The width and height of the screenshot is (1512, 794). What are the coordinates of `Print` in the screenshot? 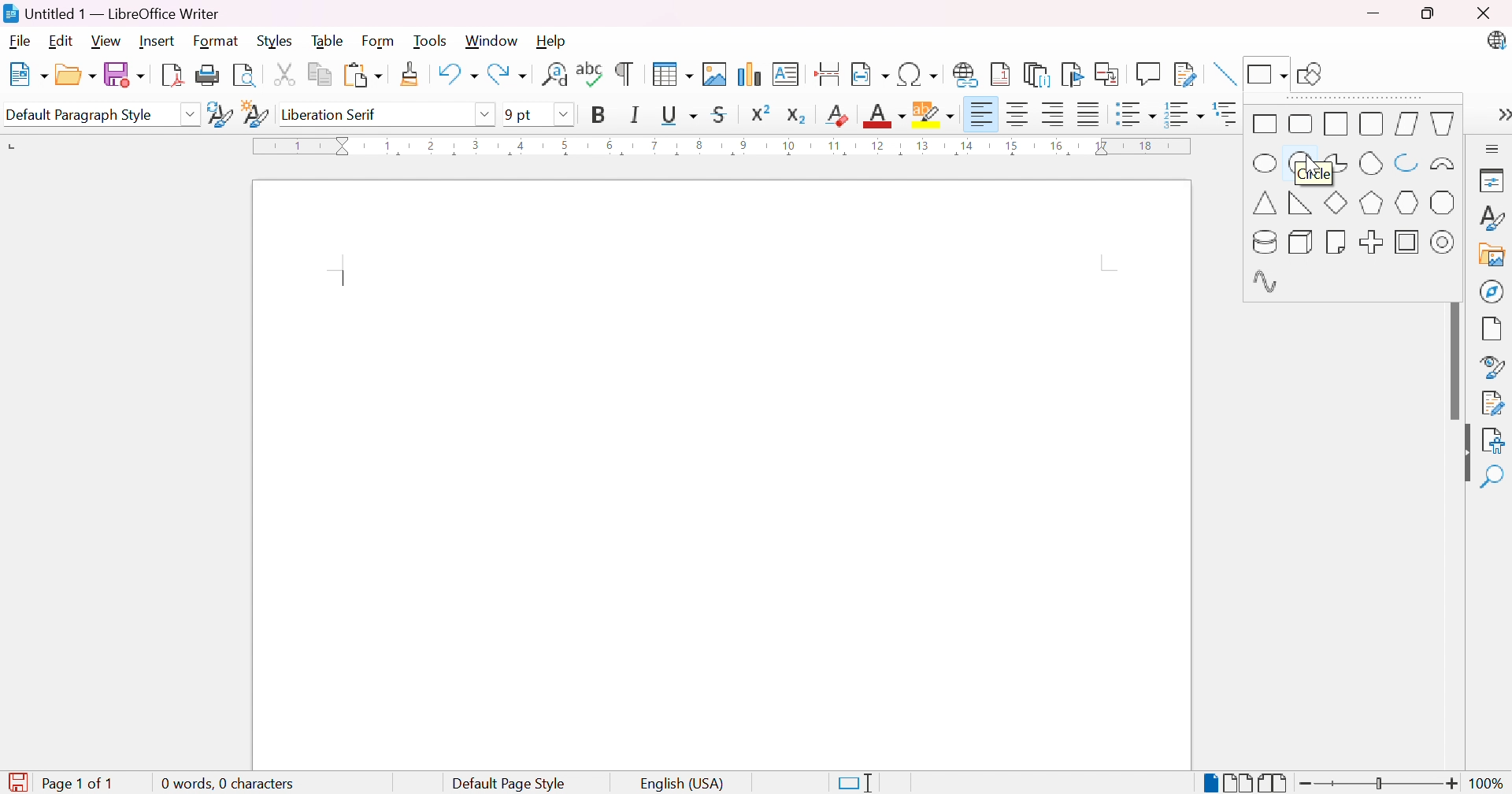 It's located at (209, 74).